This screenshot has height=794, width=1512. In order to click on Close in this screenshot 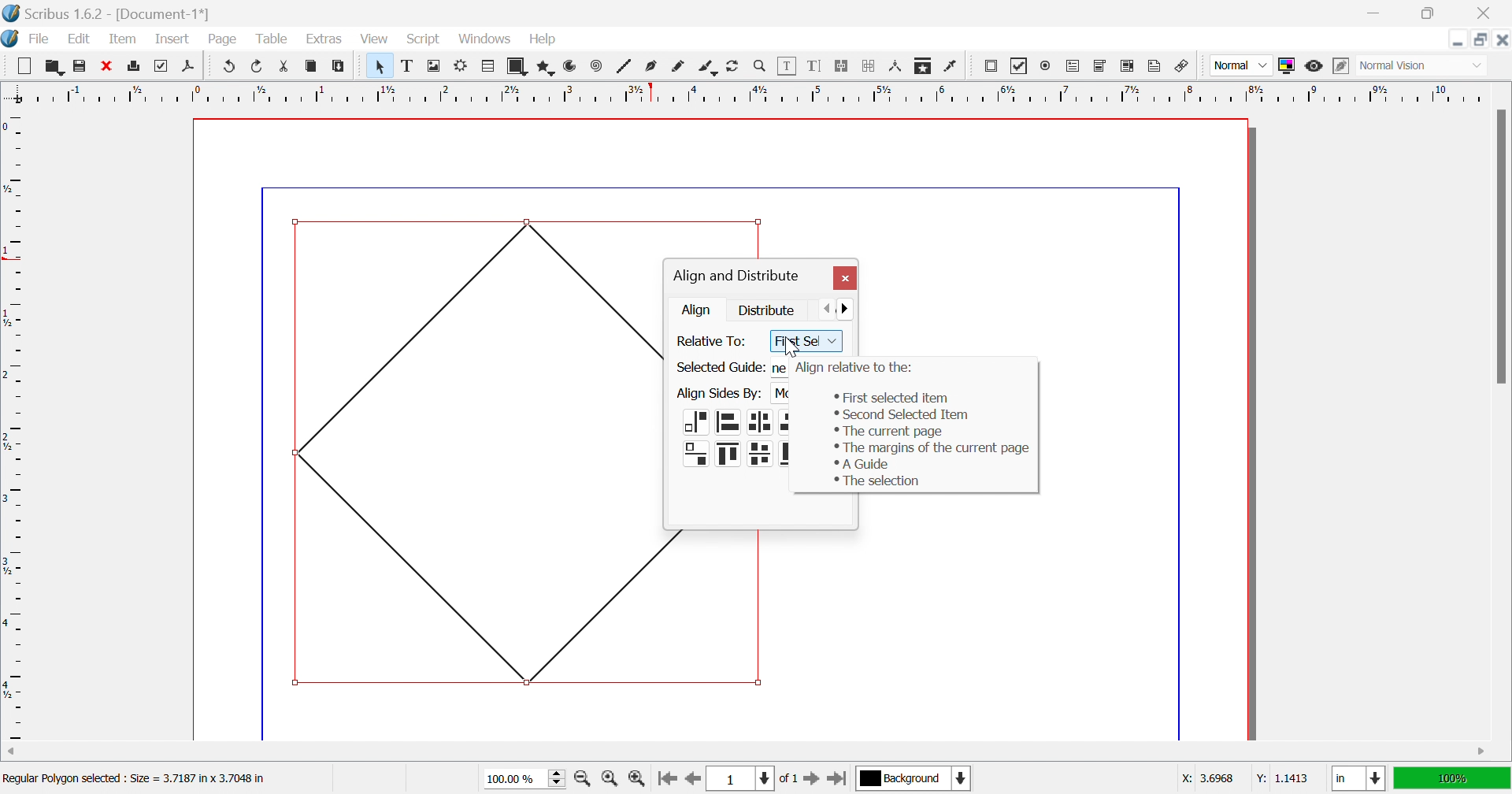, I will do `click(844, 279)`.